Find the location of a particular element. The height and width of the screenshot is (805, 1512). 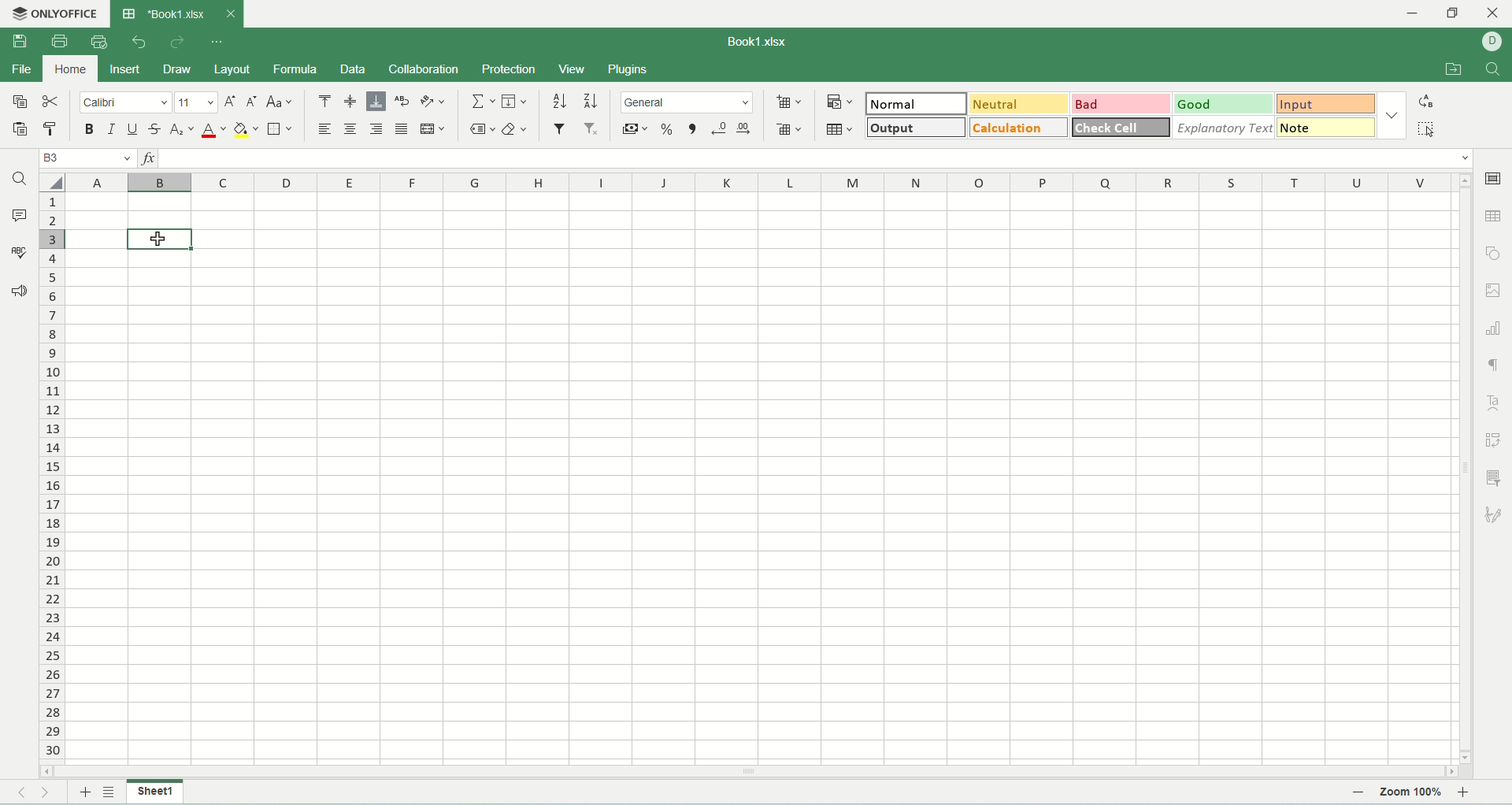

italic is located at coordinates (111, 130).